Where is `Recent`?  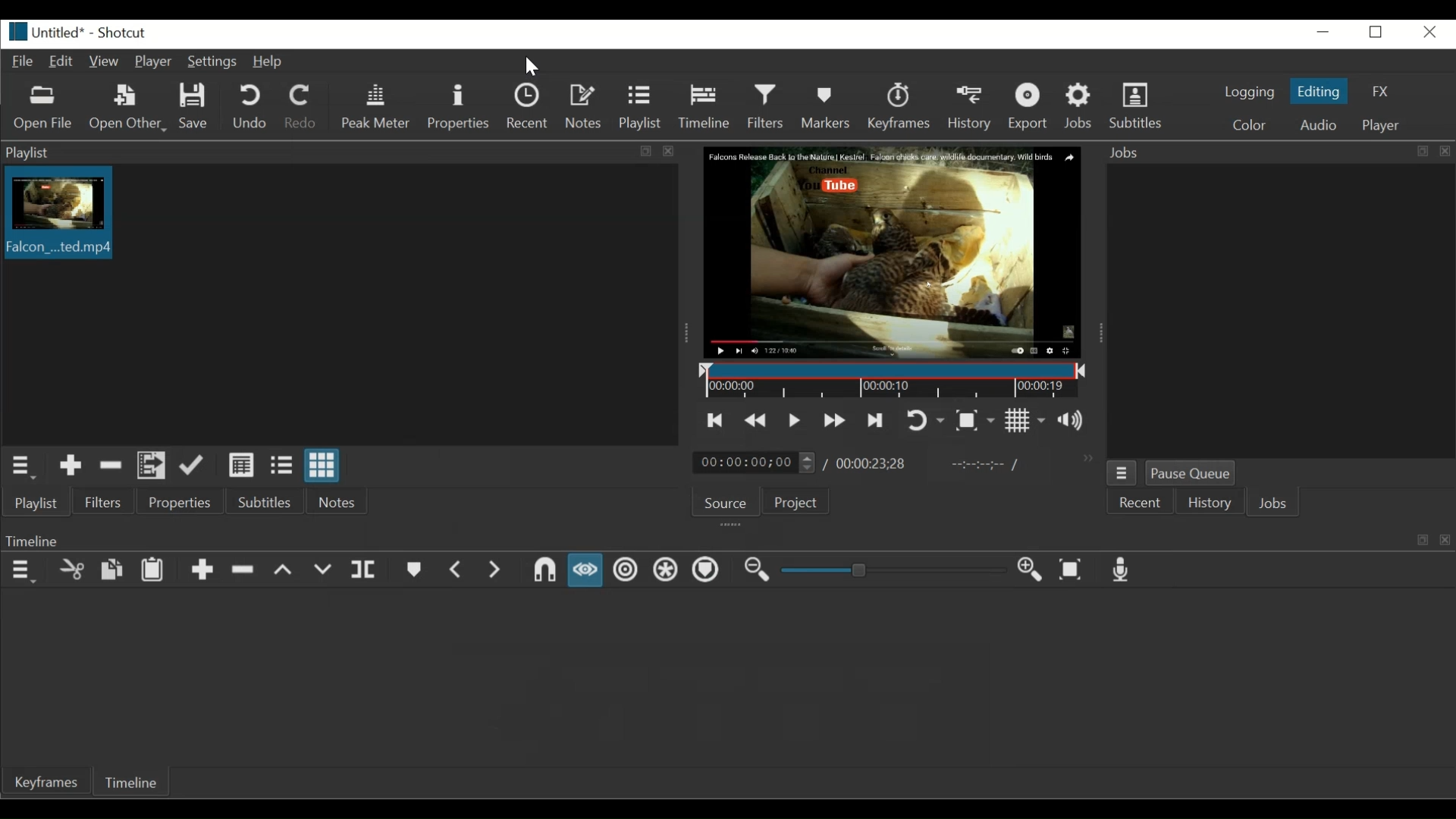
Recent is located at coordinates (1143, 504).